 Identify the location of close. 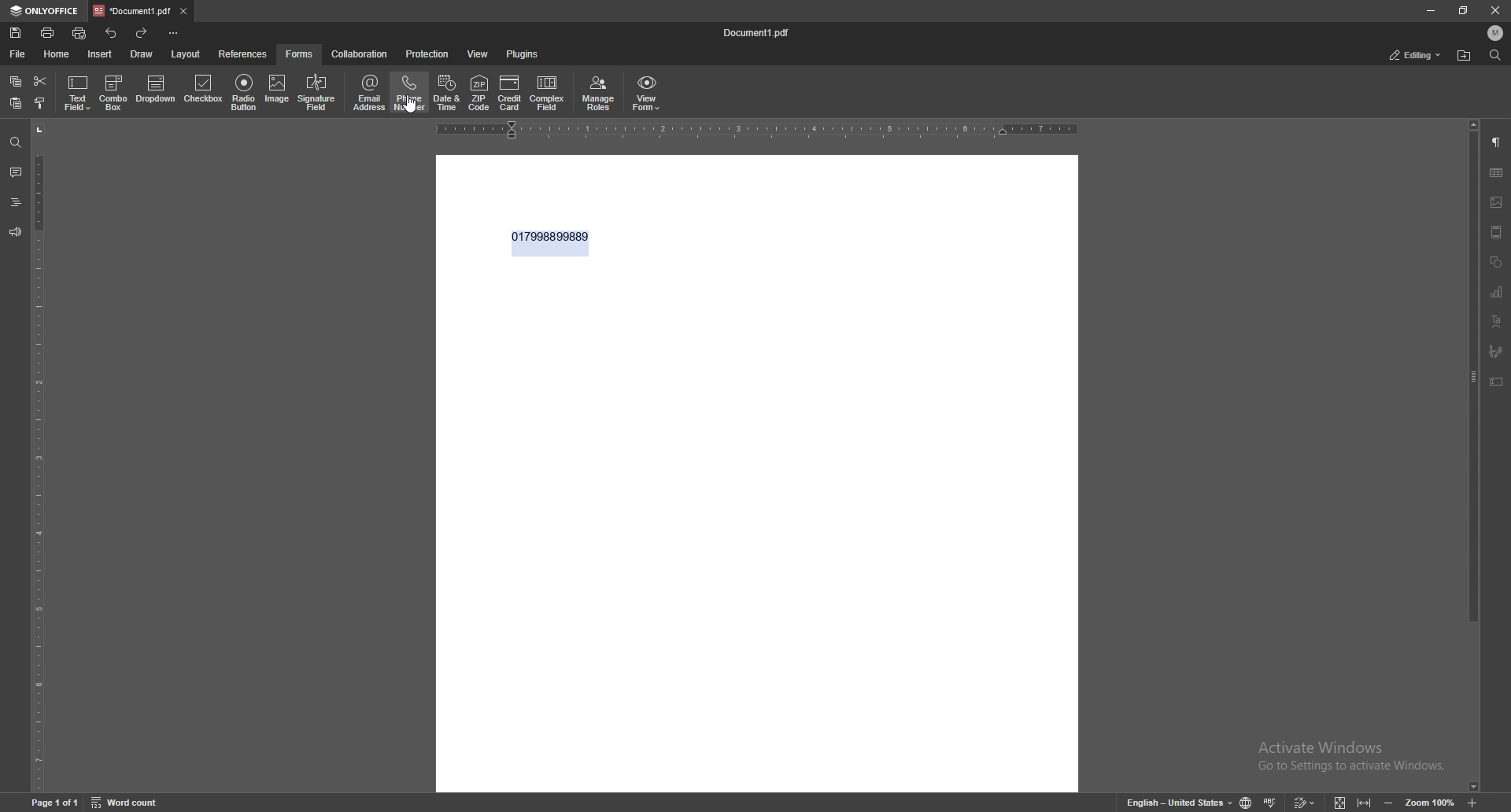
(183, 12).